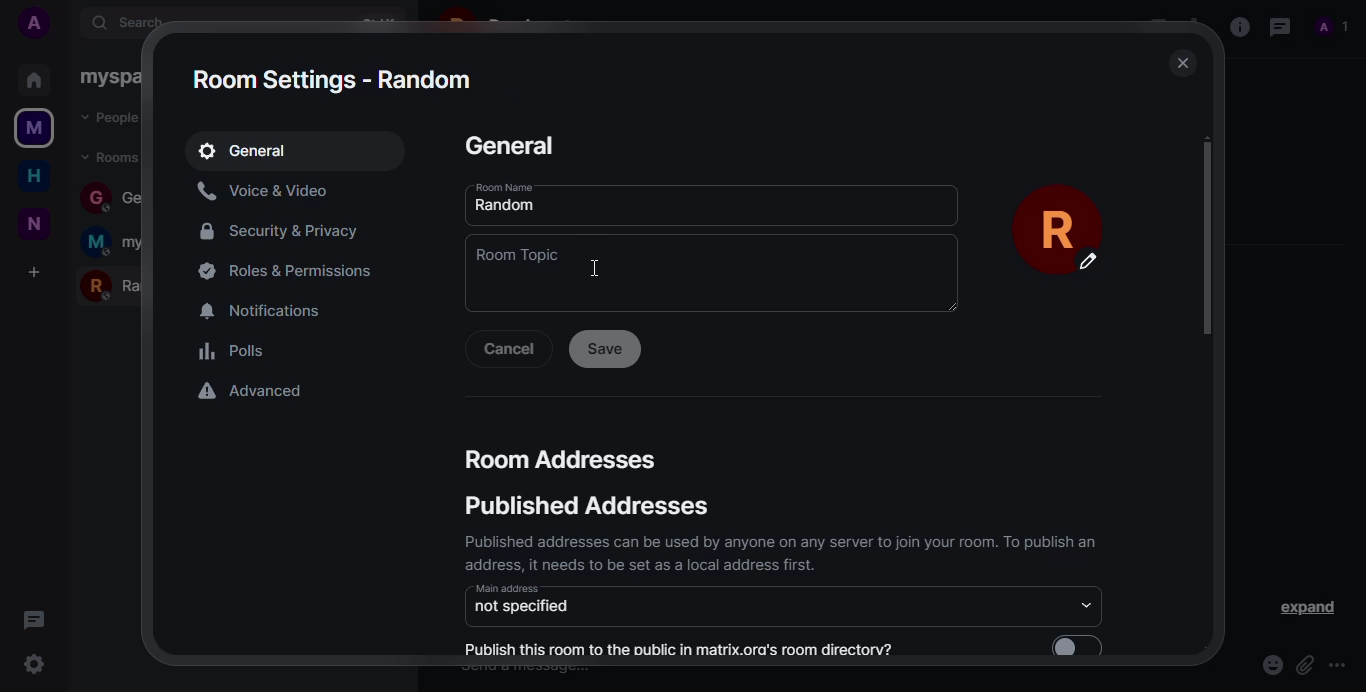  Describe the element at coordinates (259, 312) in the screenshot. I see `notifications` at that location.